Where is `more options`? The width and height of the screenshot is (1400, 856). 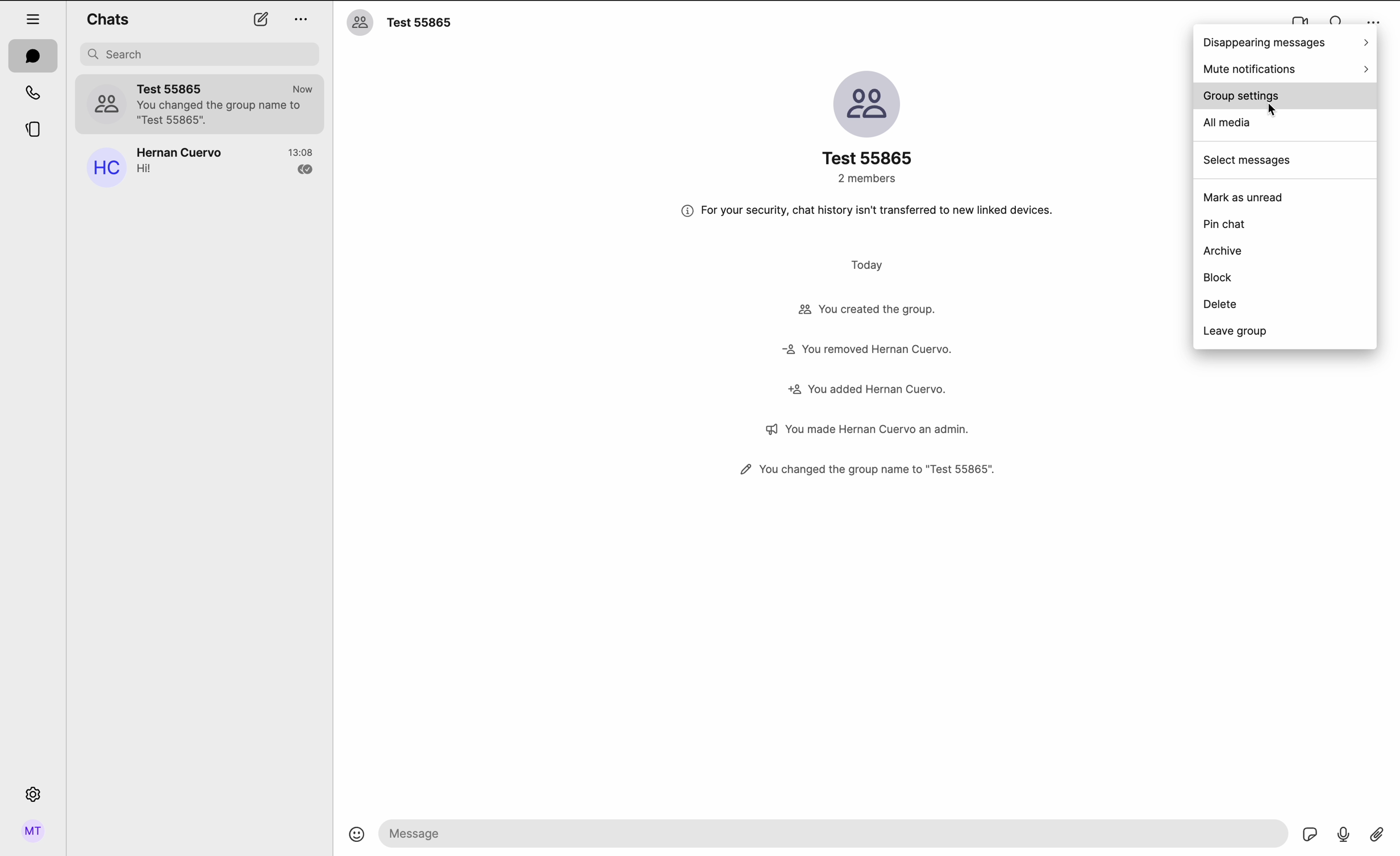 more options is located at coordinates (303, 21).